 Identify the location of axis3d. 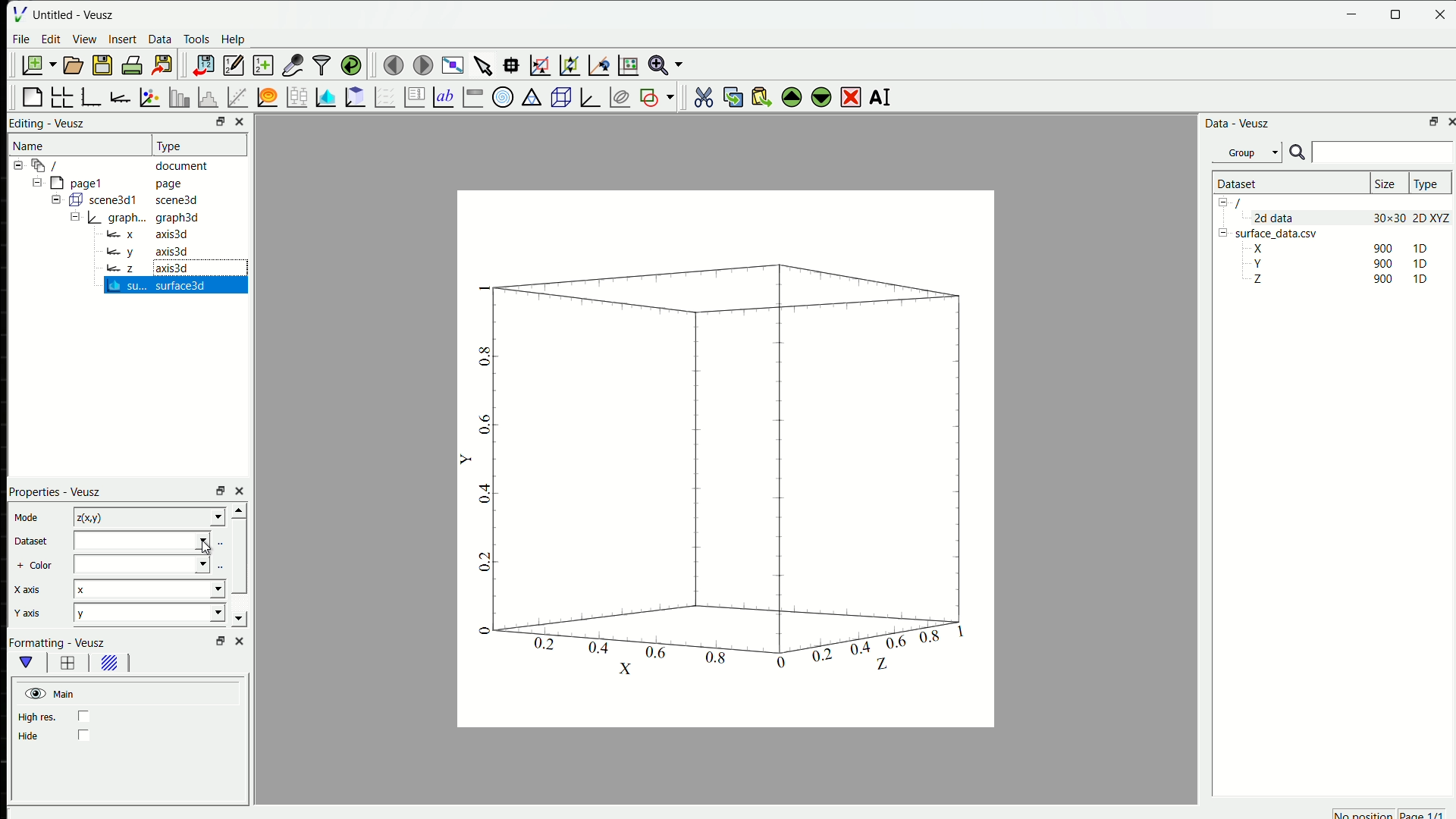
(171, 268).